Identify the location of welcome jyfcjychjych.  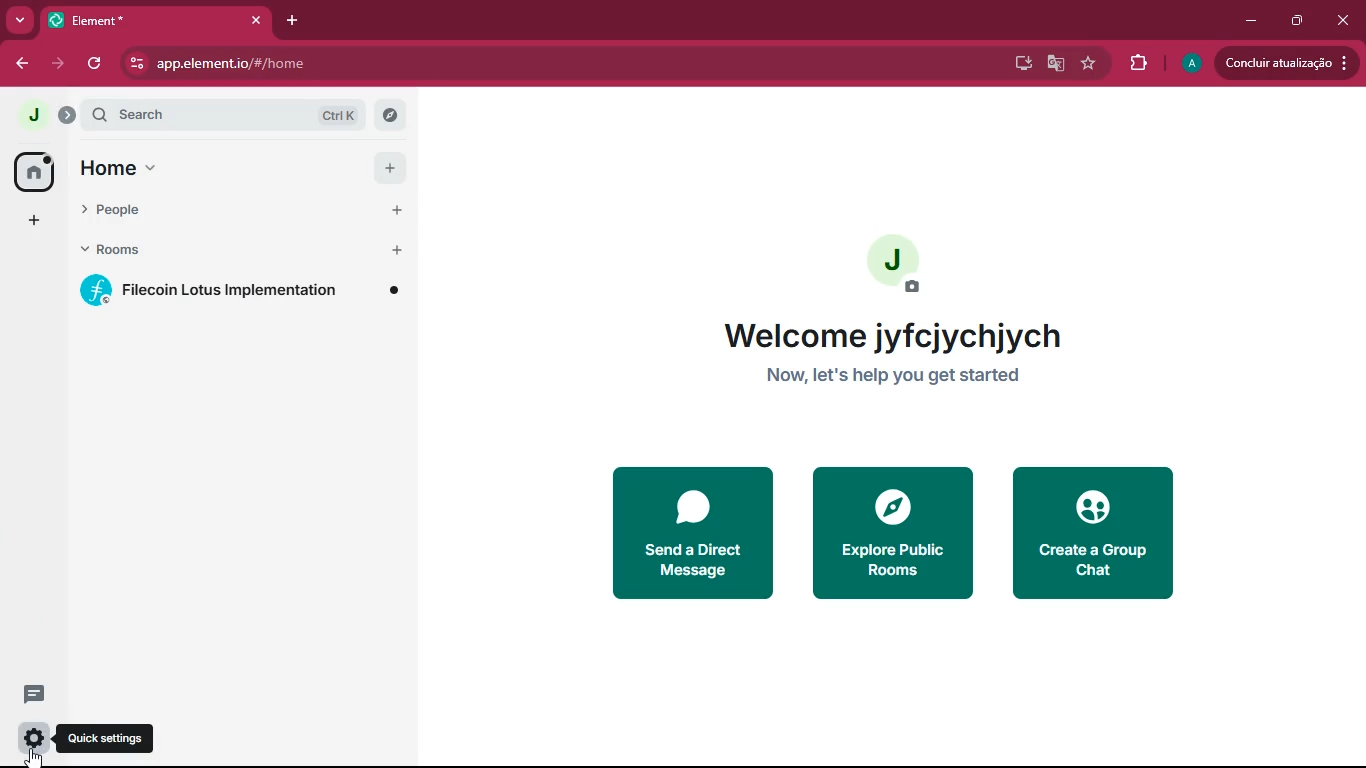
(892, 335).